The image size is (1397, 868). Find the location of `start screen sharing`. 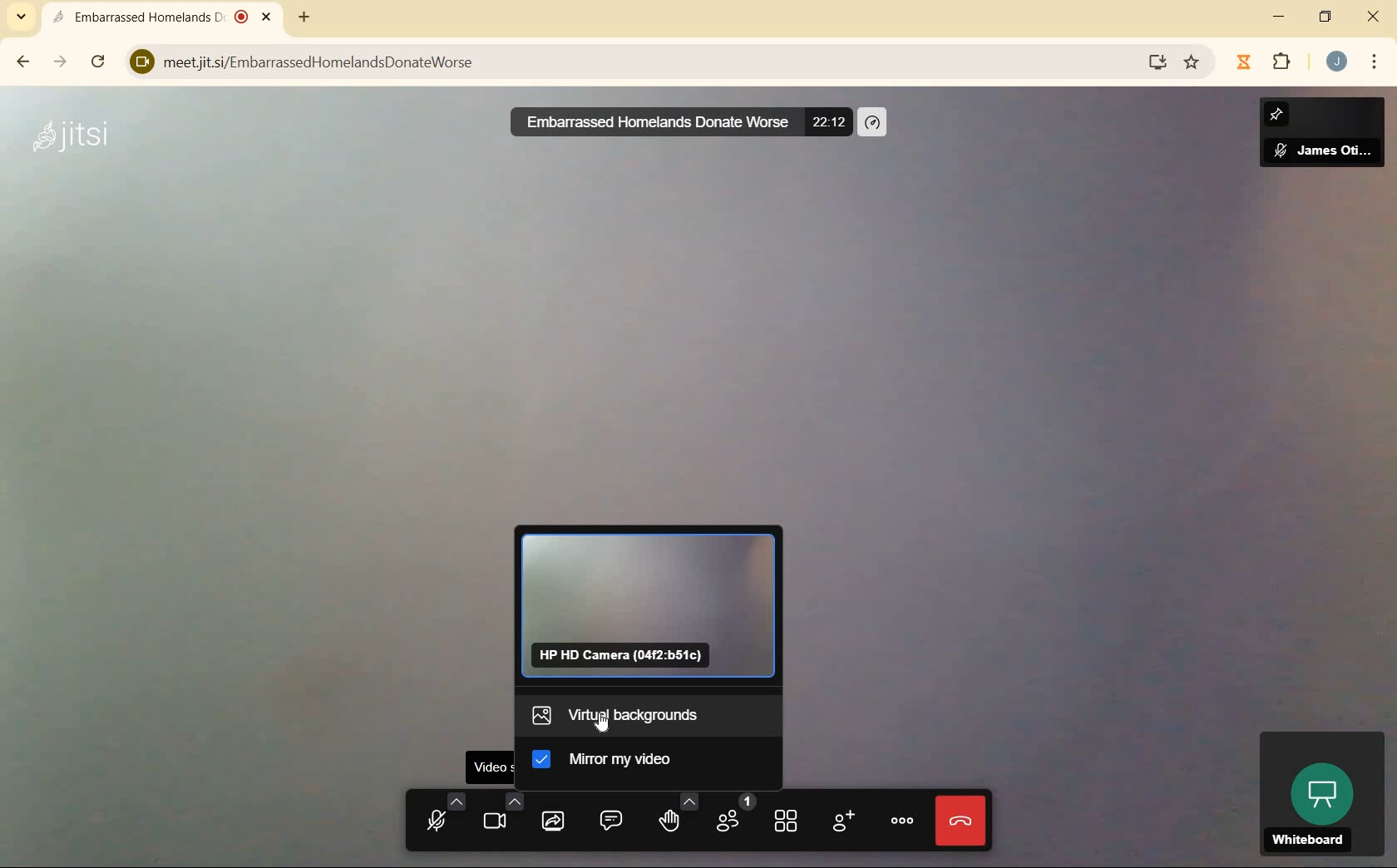

start screen sharing is located at coordinates (552, 818).